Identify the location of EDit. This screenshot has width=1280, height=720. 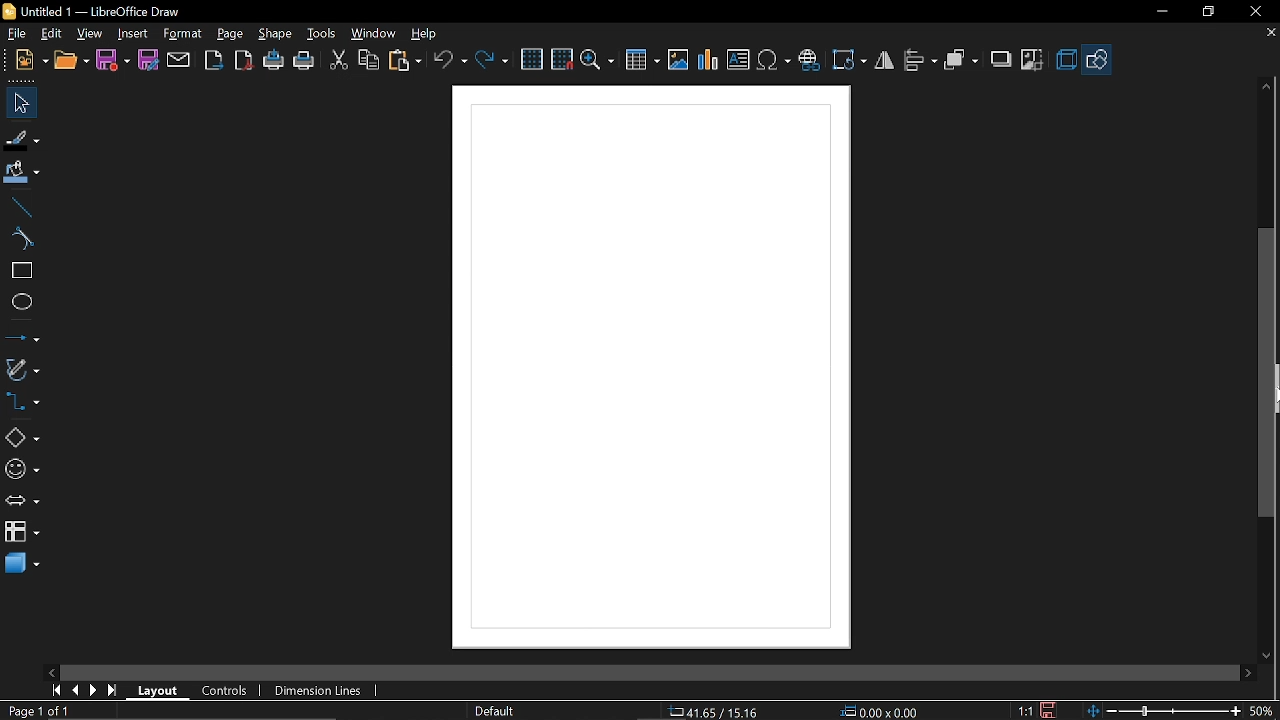
(52, 34).